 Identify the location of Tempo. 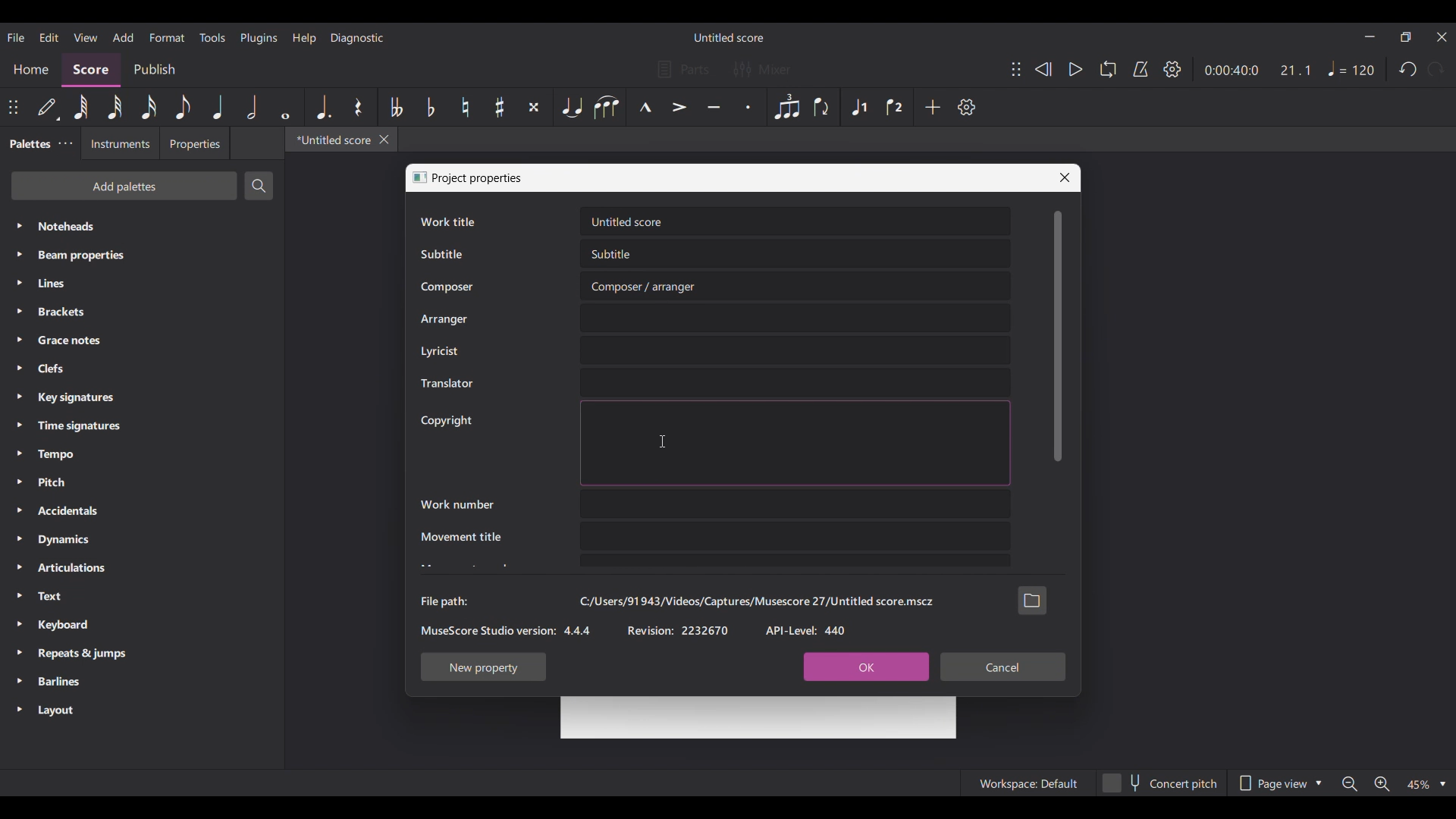
(1352, 68).